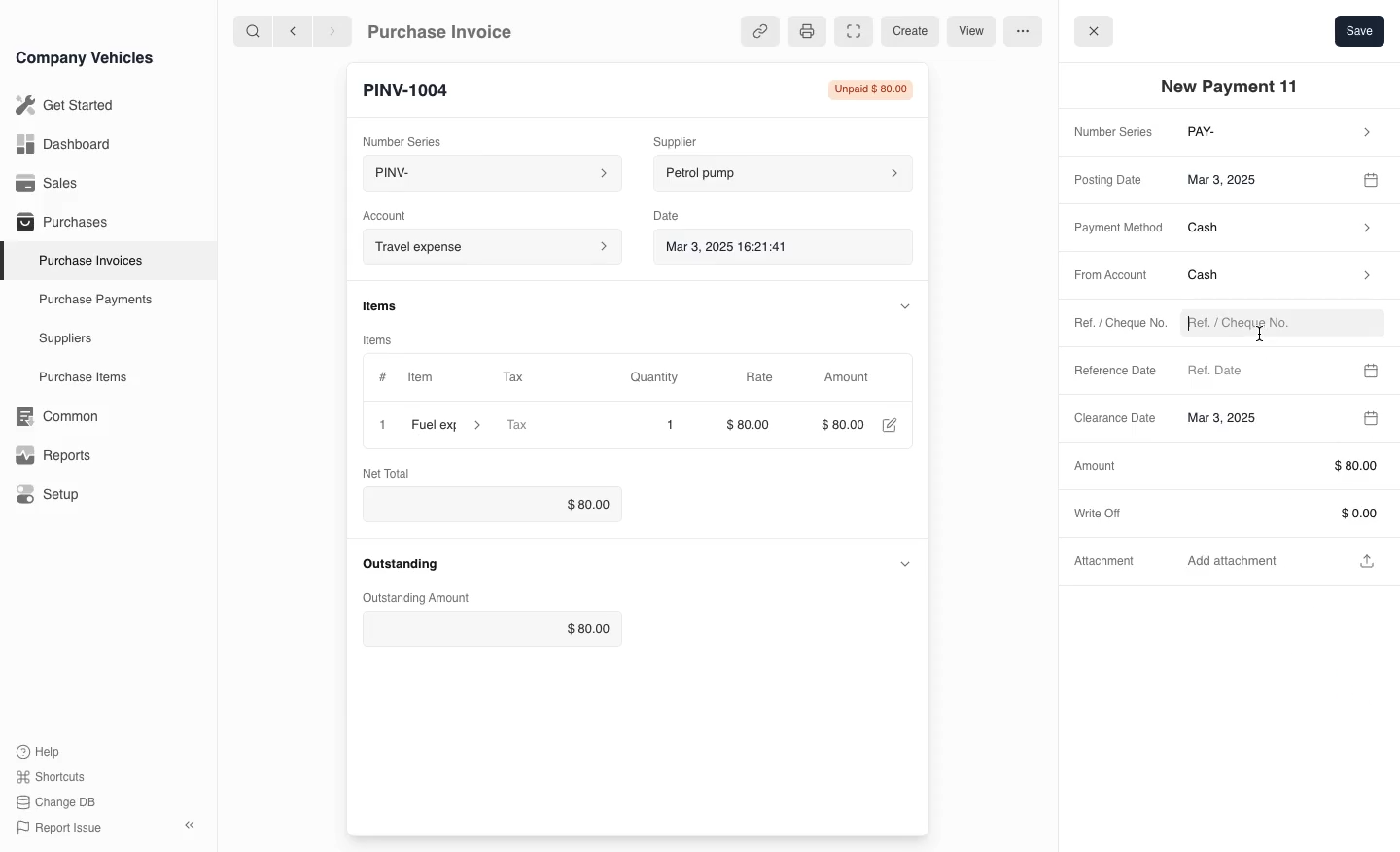 Image resolution: width=1400 pixels, height=852 pixels. Describe the element at coordinates (1279, 513) in the screenshot. I see `0.00` at that location.